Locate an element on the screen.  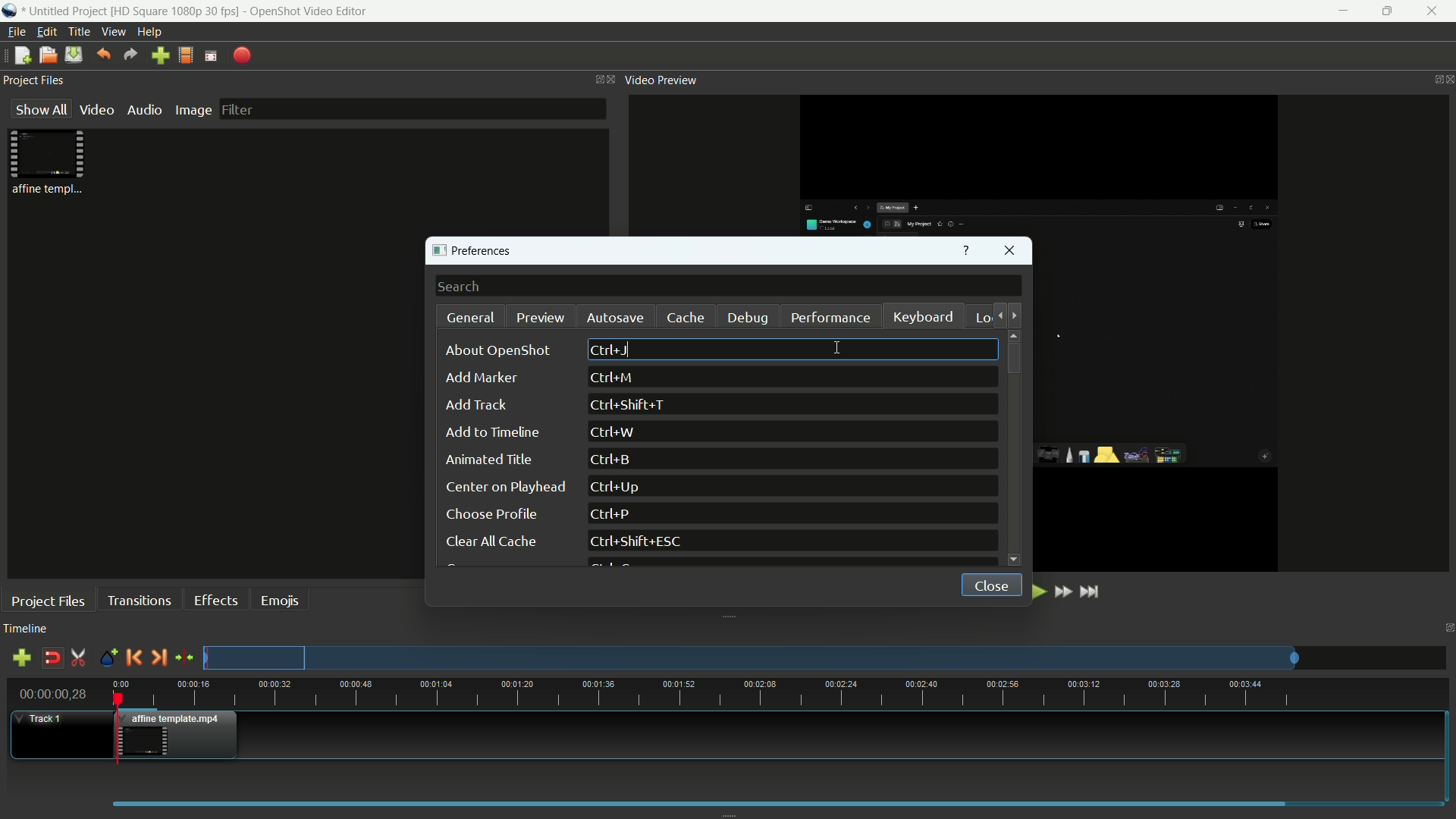
close app is located at coordinates (1435, 11).